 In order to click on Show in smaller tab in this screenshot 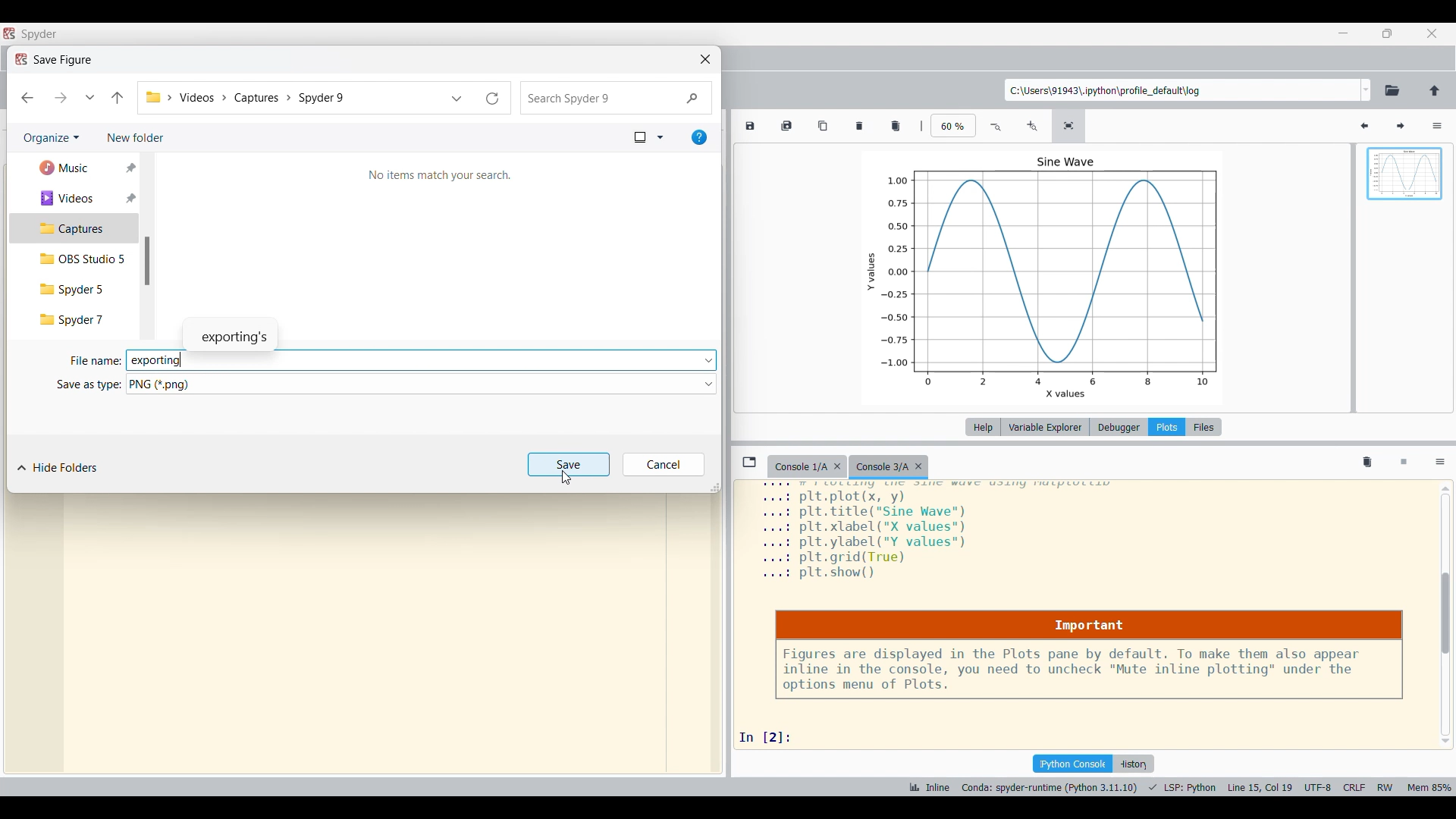, I will do `click(1387, 33)`.